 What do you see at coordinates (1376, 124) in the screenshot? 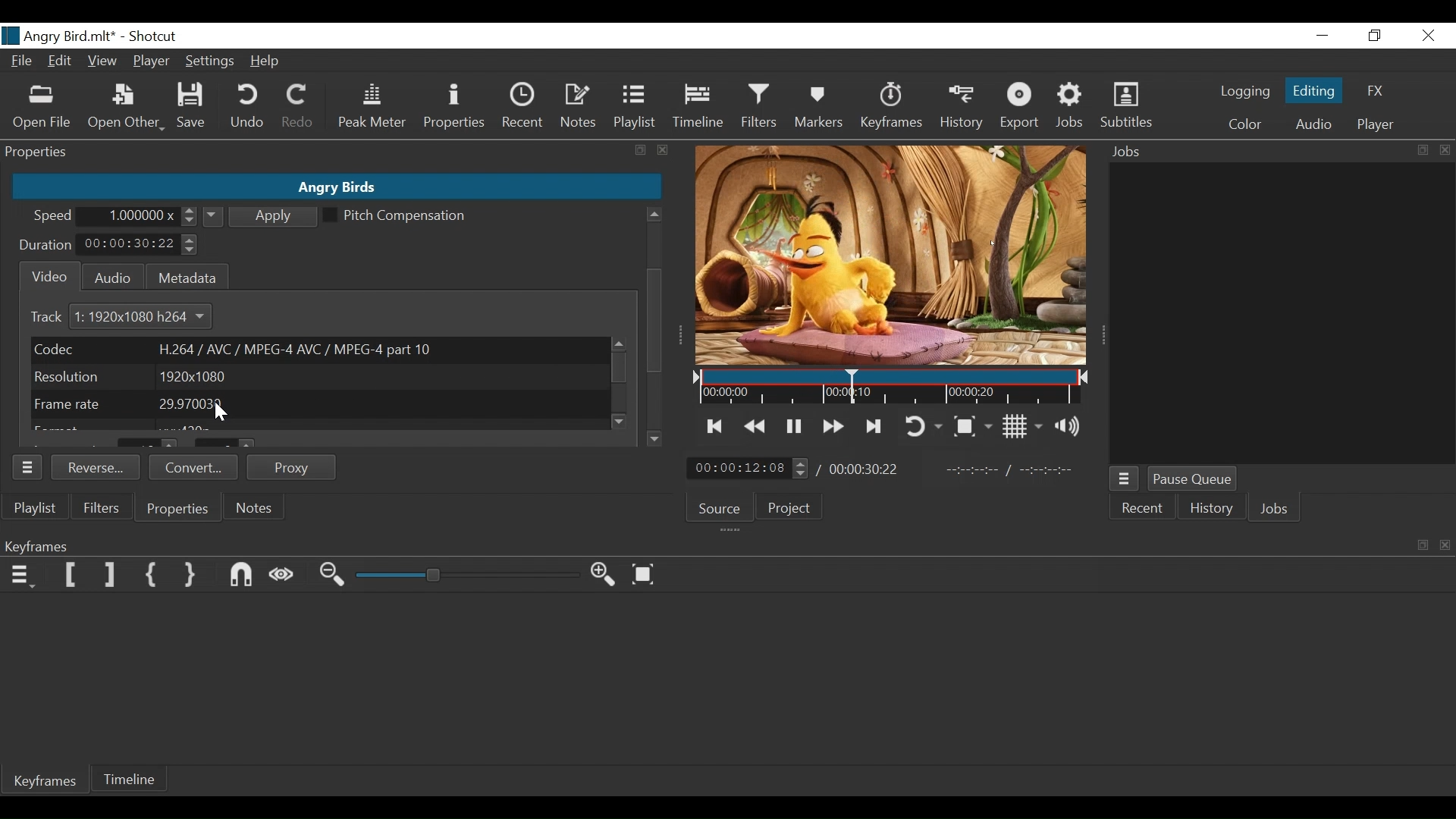
I see `Player` at bounding box center [1376, 124].